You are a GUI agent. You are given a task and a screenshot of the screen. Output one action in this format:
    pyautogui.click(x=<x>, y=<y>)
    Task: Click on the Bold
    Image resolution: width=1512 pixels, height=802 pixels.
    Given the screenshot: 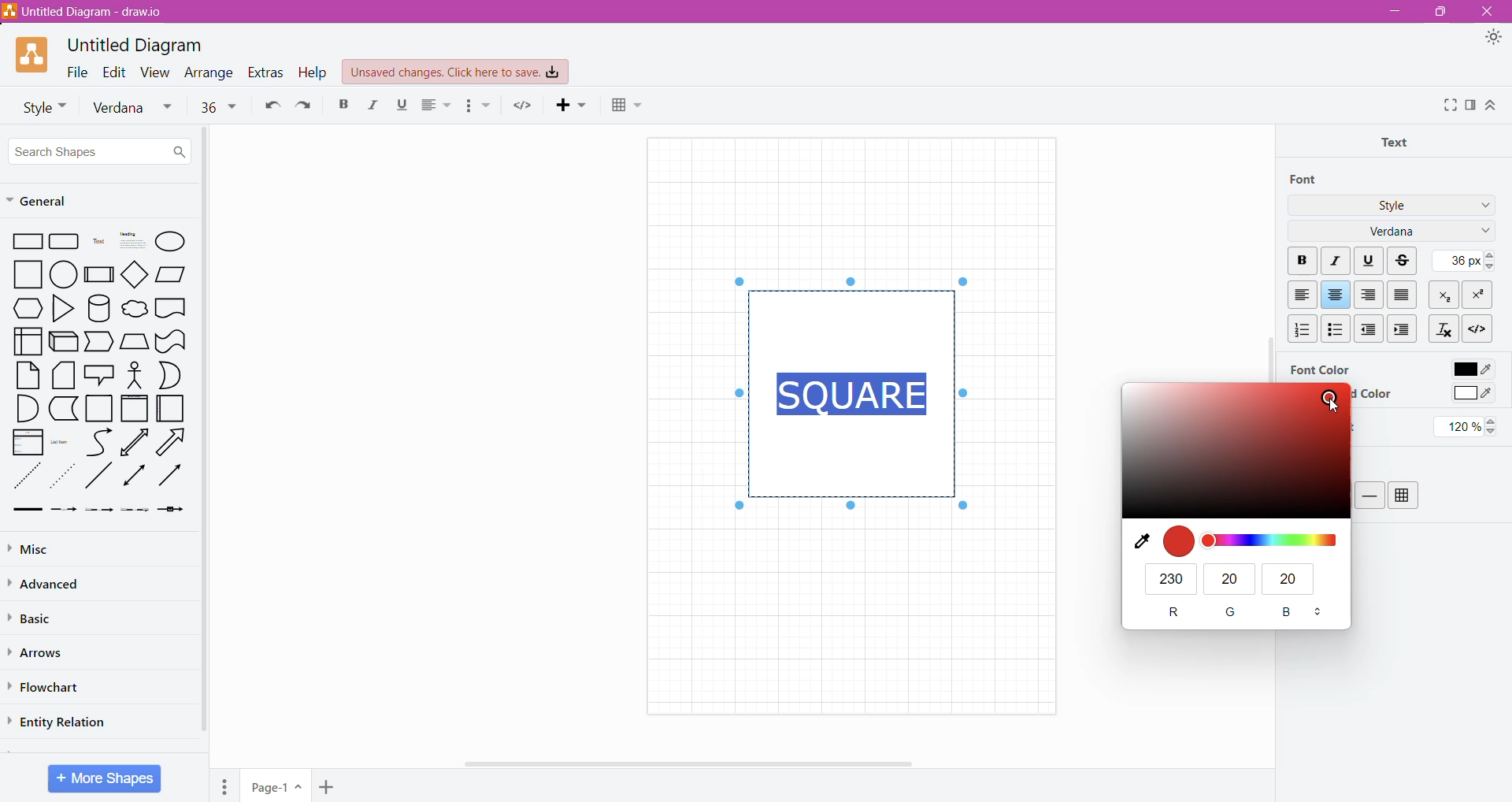 What is the action you would take?
    pyautogui.click(x=1302, y=262)
    